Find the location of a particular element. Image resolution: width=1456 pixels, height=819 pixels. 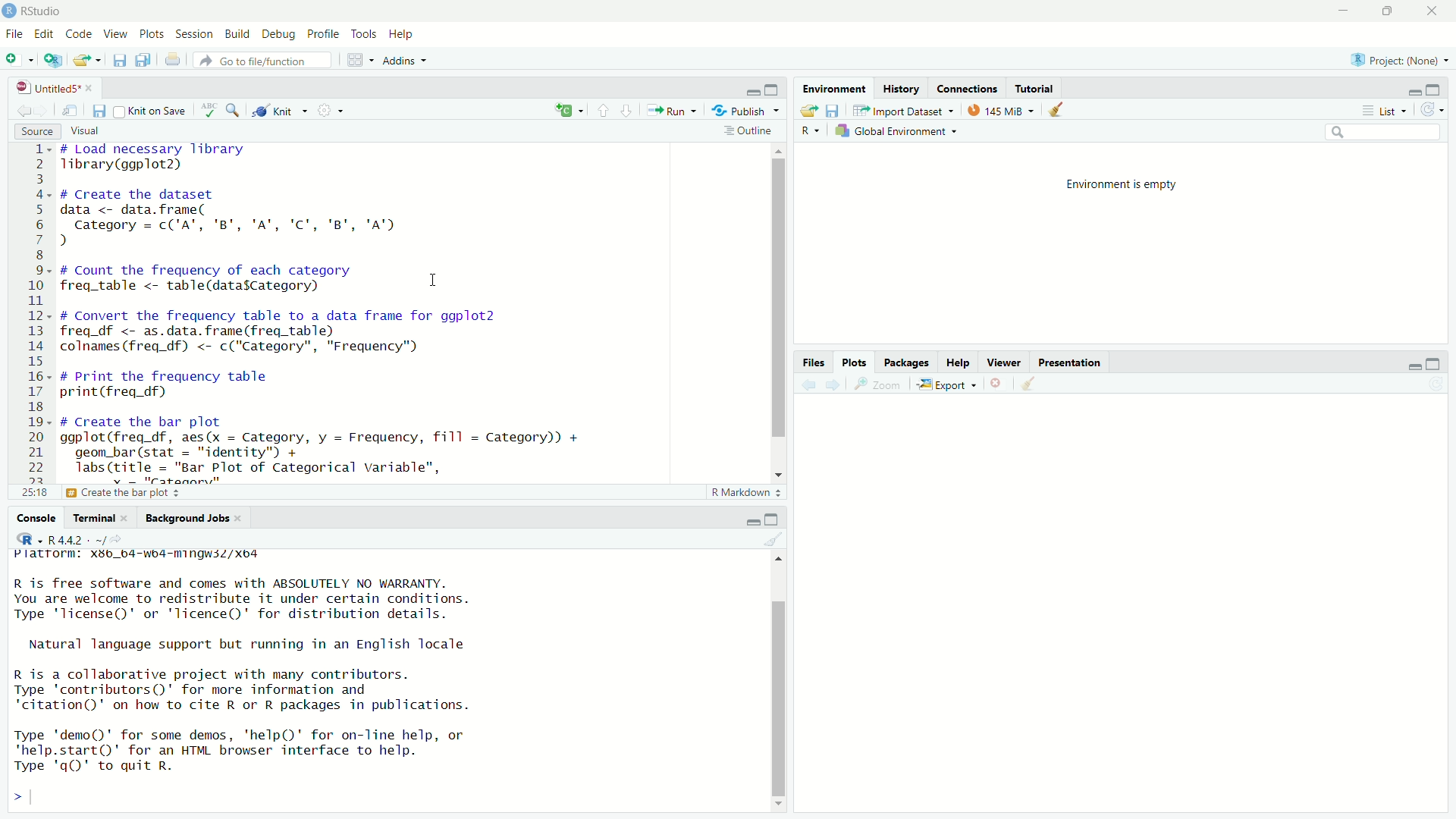

open is located at coordinates (811, 111).